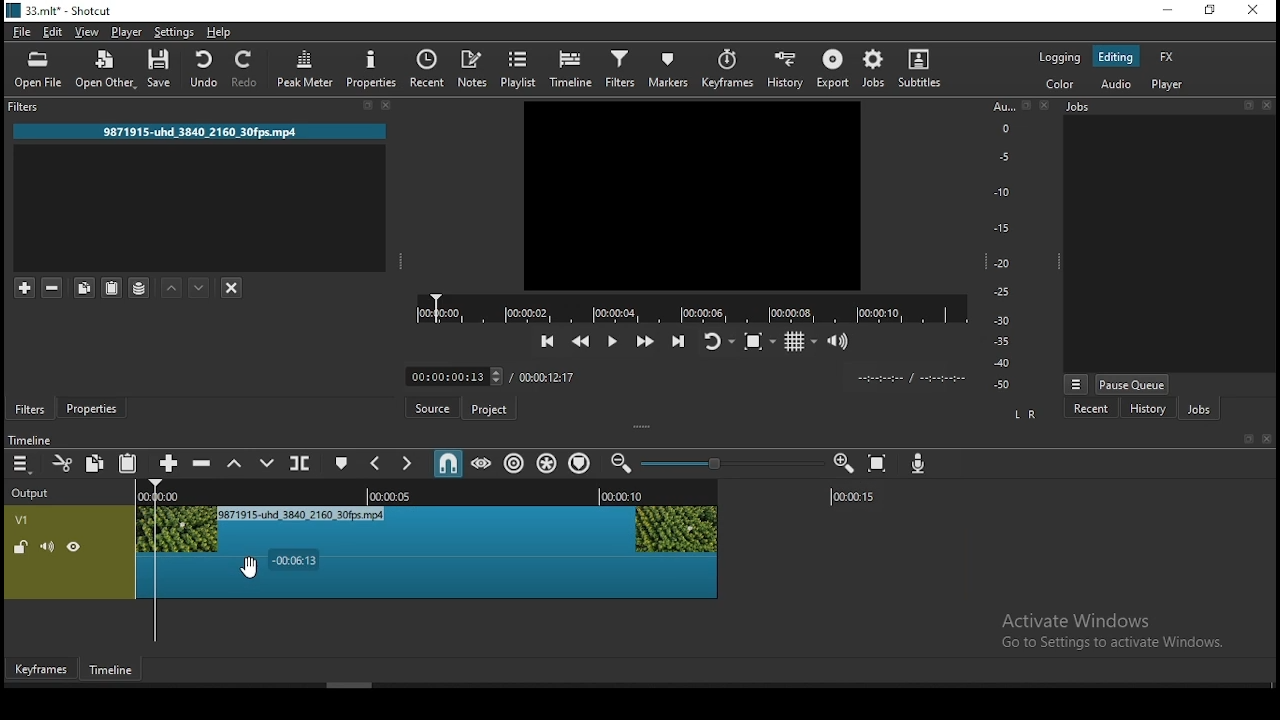  What do you see at coordinates (686, 307) in the screenshot?
I see `playback time` at bounding box center [686, 307].